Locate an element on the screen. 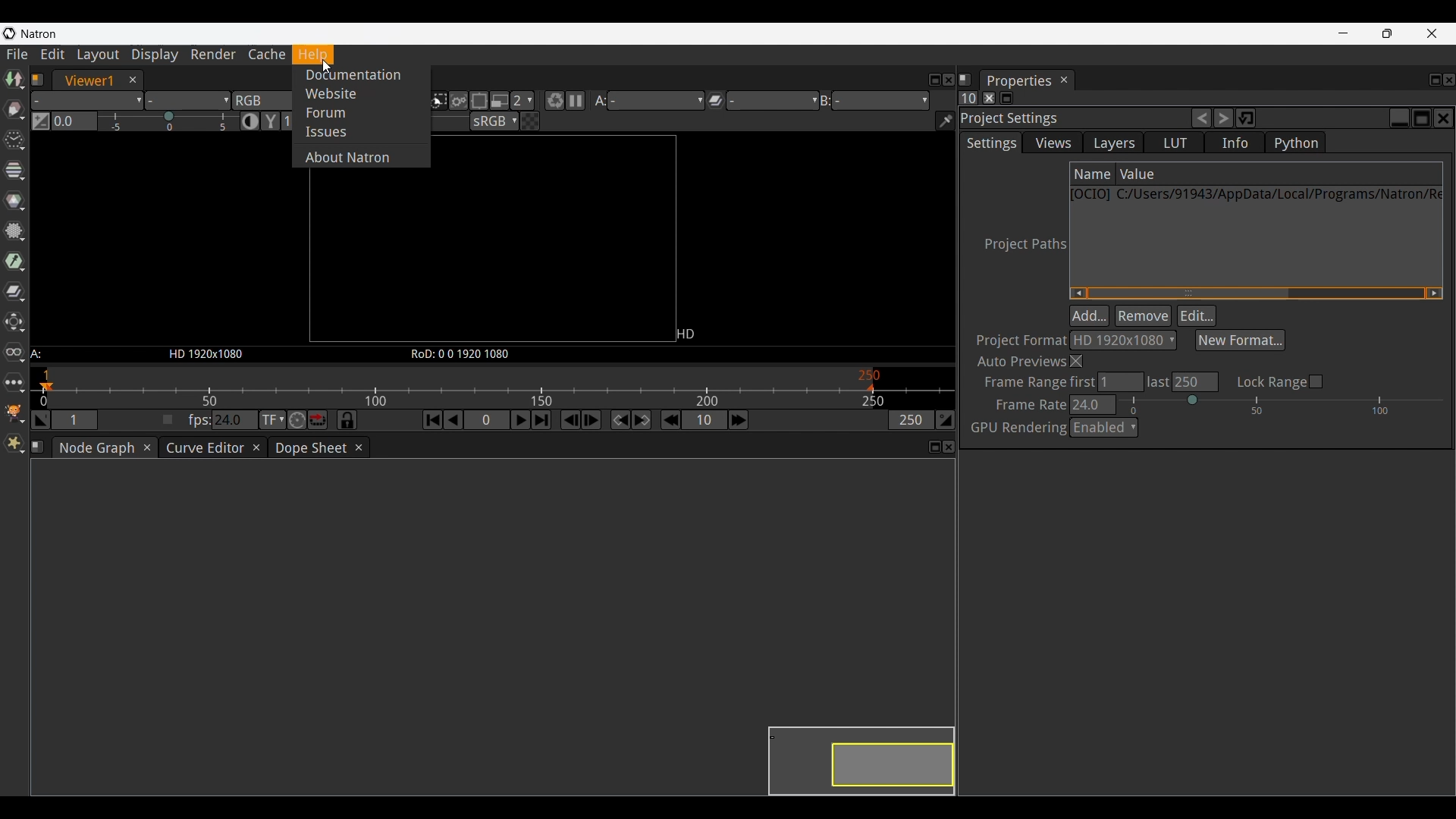 This screenshot has width=1456, height=819. Previous frame is located at coordinates (571, 420).